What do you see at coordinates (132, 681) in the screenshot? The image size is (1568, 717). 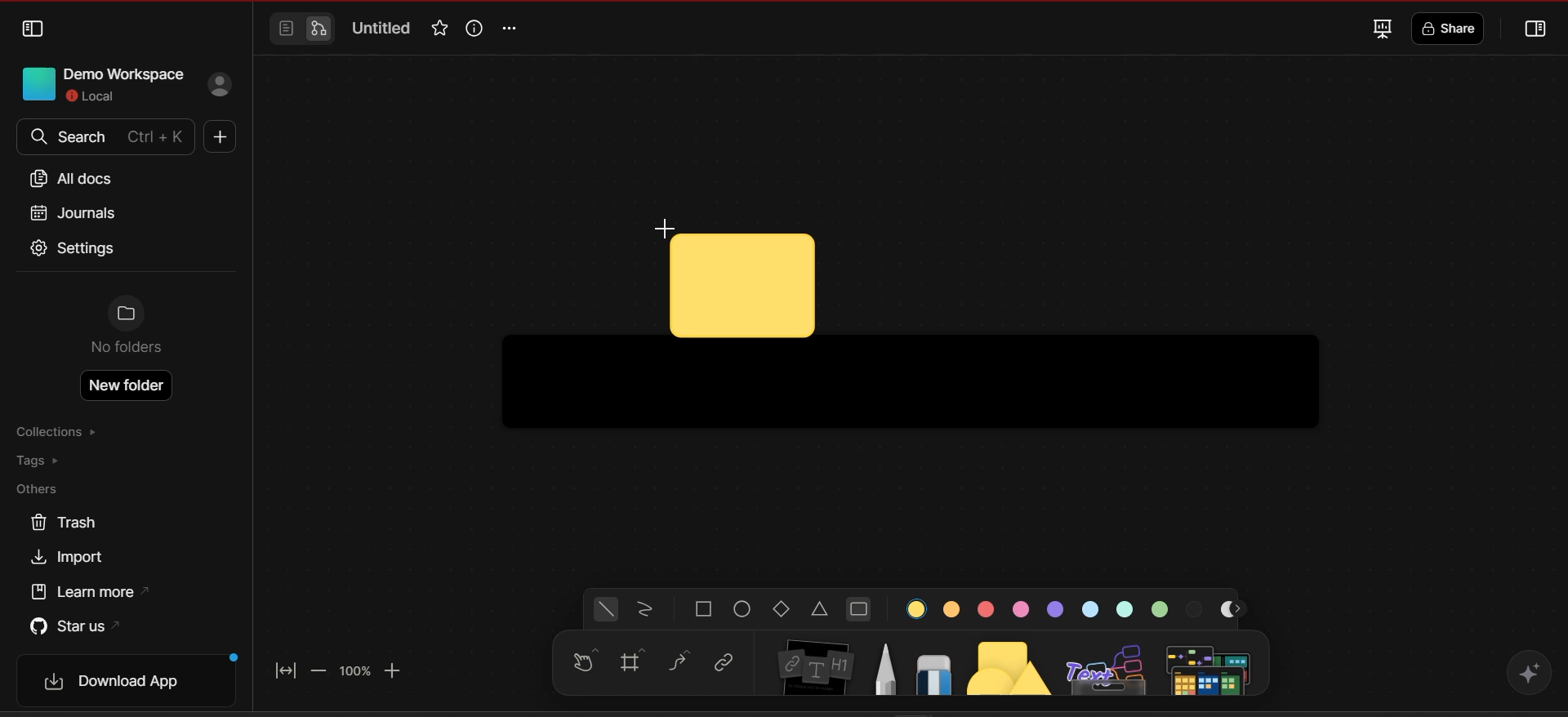 I see `download app` at bounding box center [132, 681].